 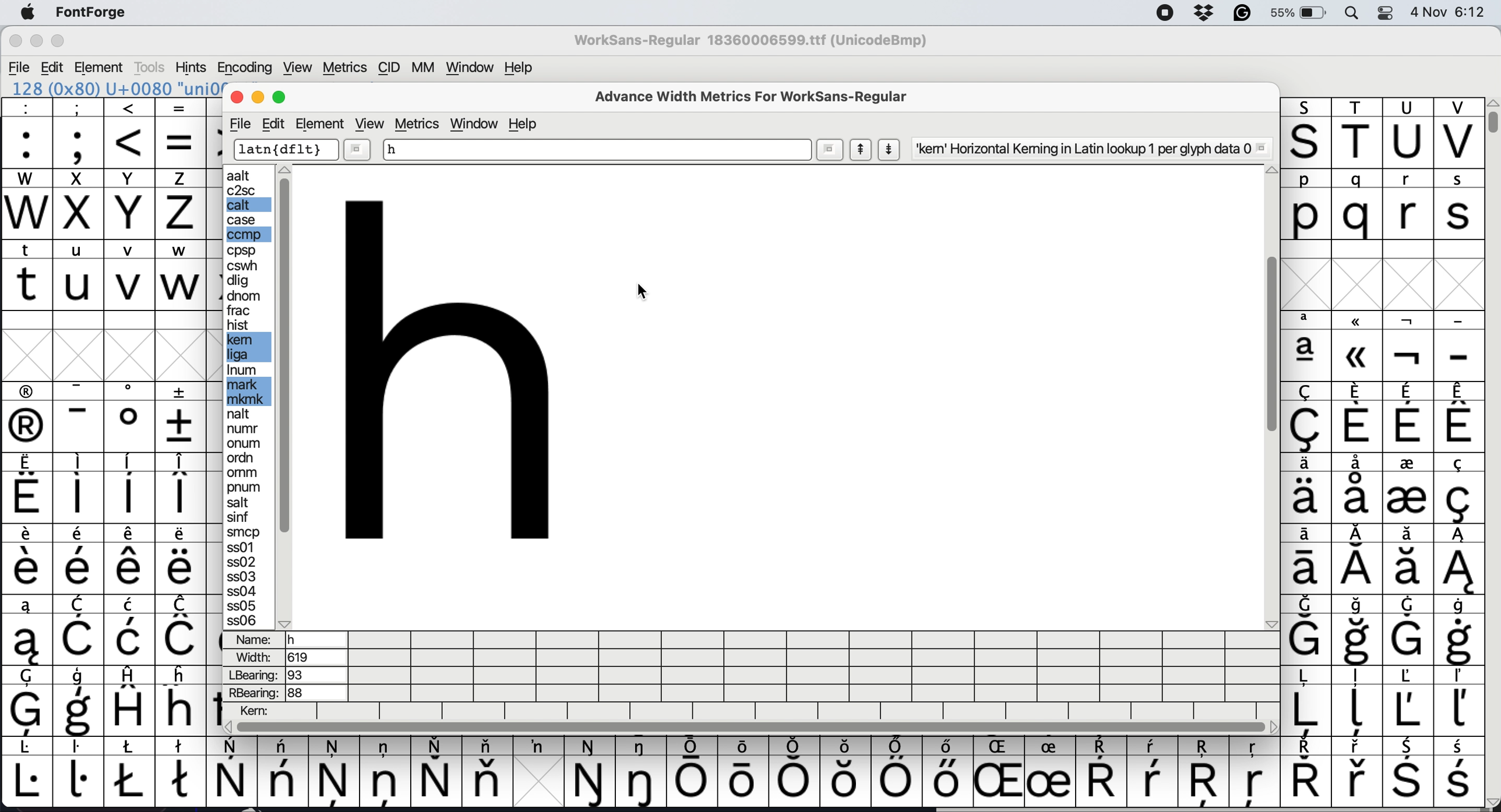 What do you see at coordinates (1389, 13) in the screenshot?
I see `control center` at bounding box center [1389, 13].